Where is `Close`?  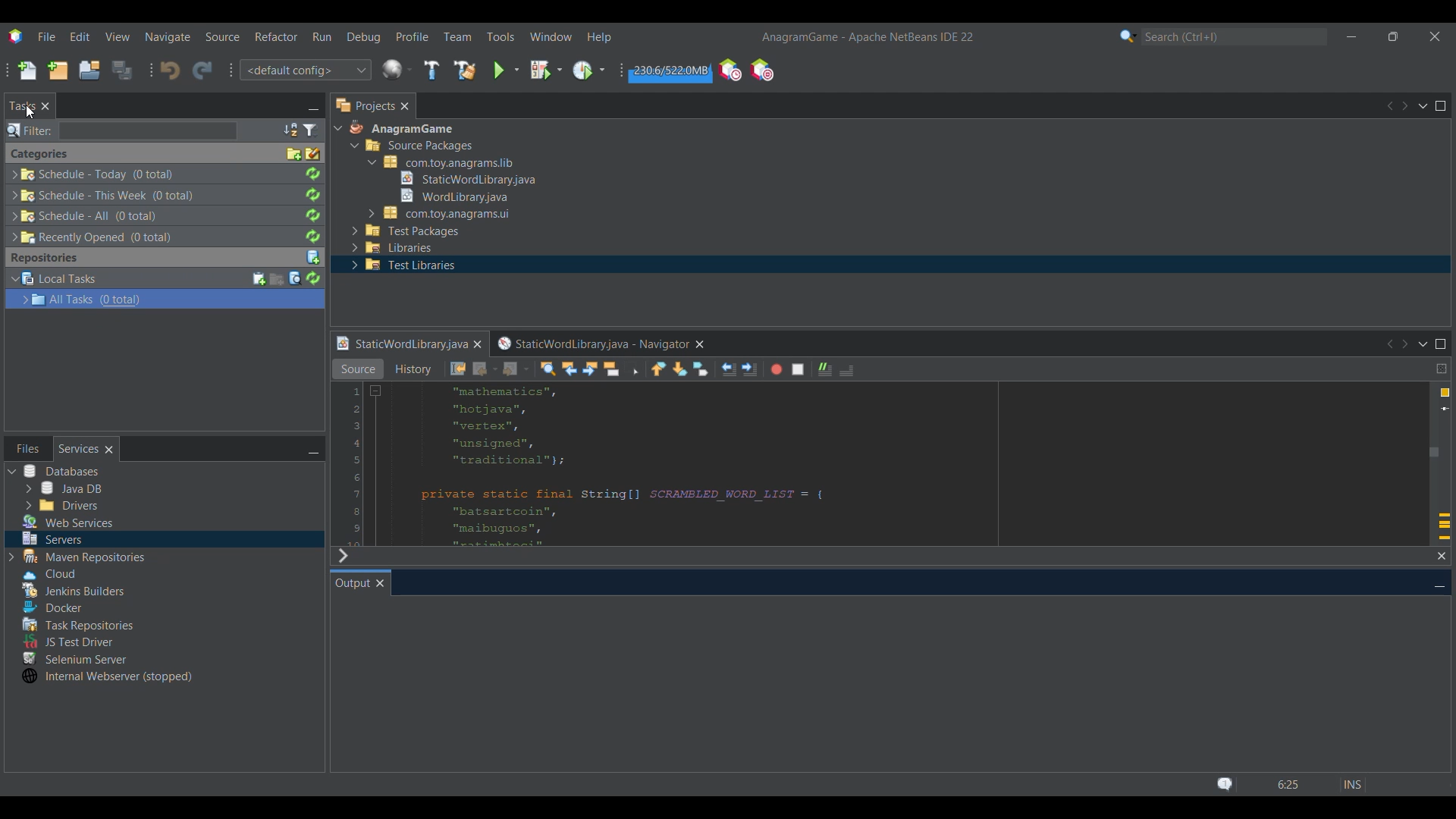
Close is located at coordinates (1442, 557).